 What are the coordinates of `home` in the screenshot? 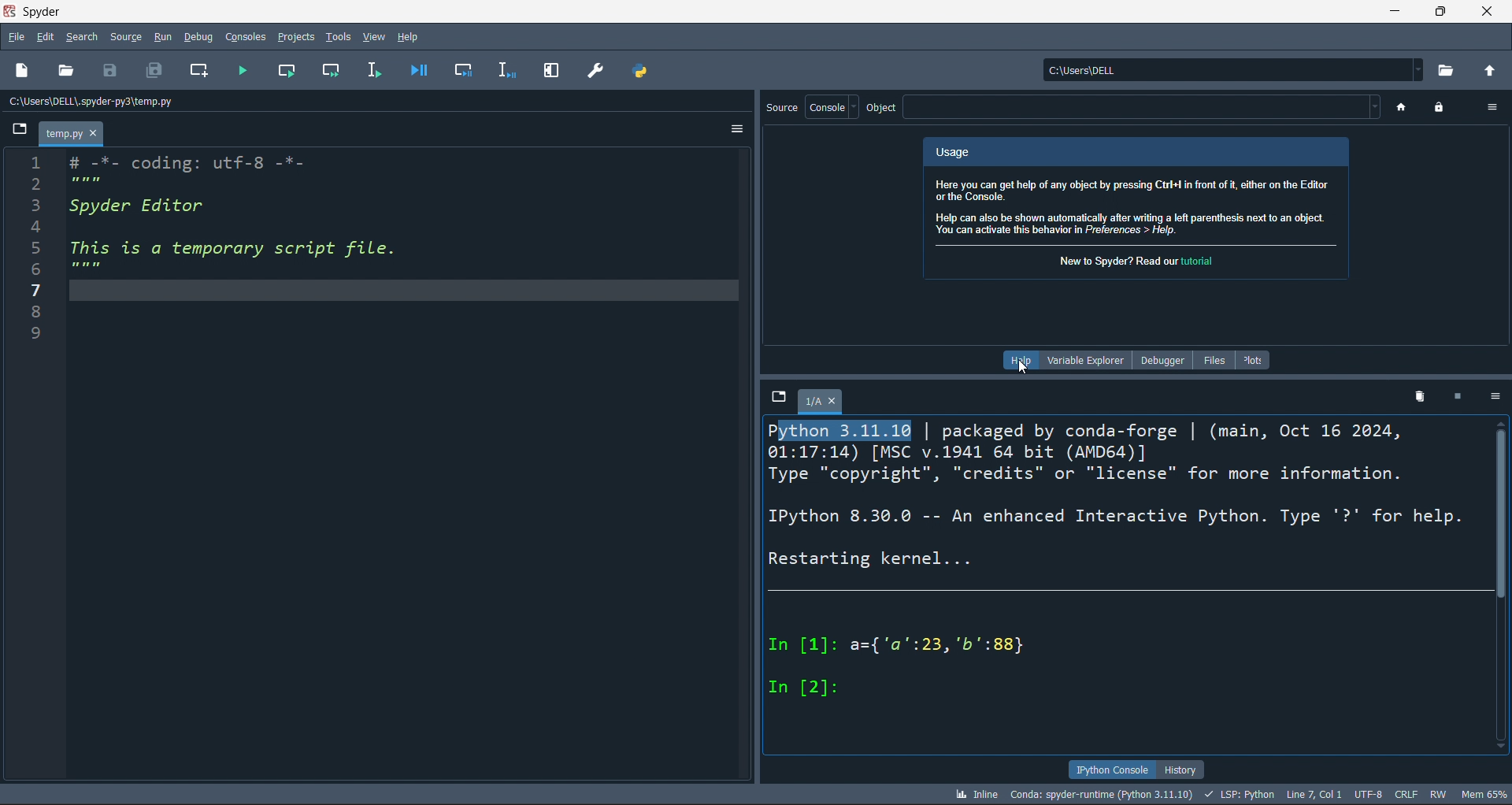 It's located at (1402, 107).